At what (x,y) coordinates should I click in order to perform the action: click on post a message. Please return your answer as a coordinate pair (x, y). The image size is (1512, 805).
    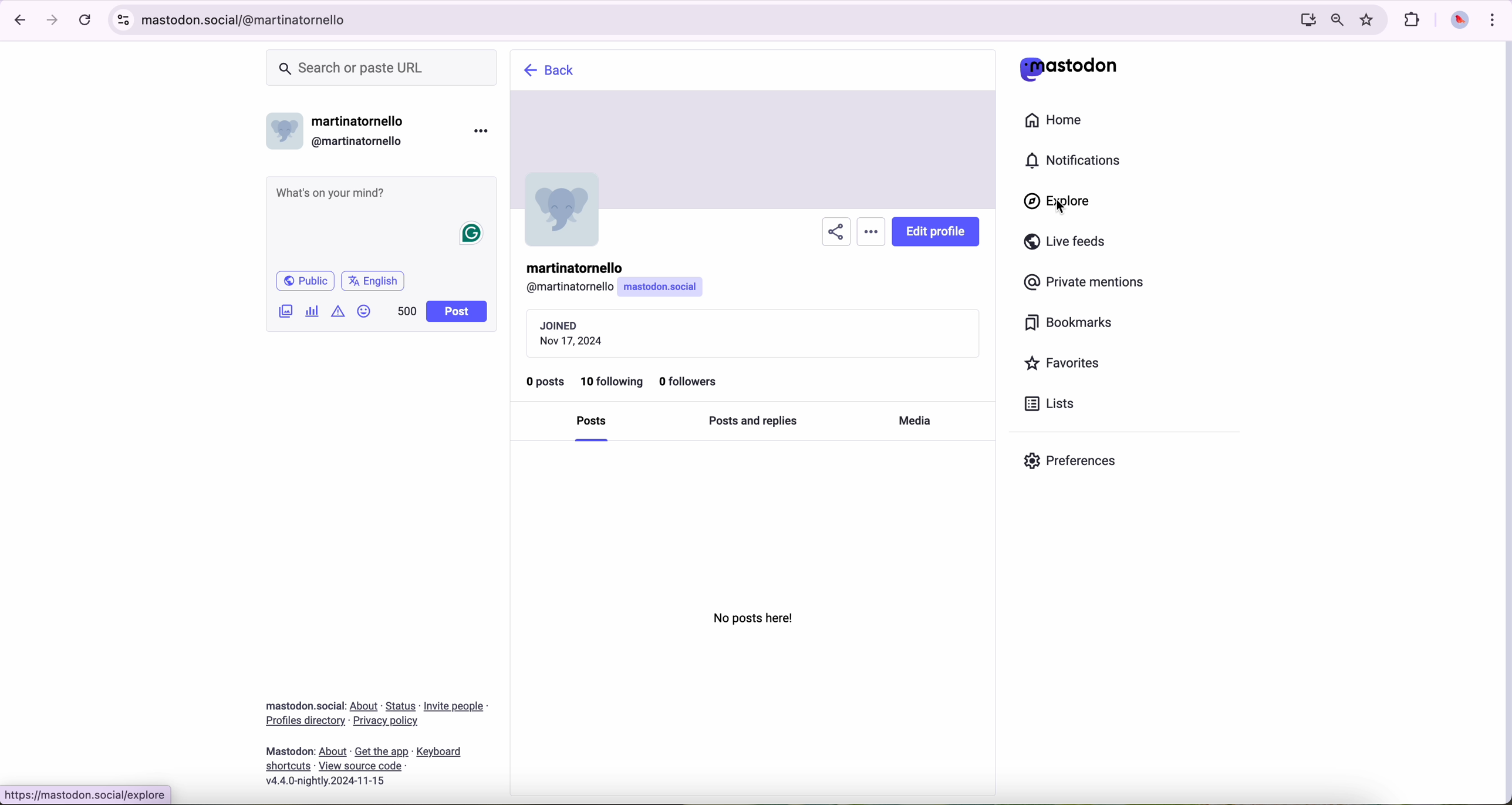
    Looking at the image, I should click on (383, 194).